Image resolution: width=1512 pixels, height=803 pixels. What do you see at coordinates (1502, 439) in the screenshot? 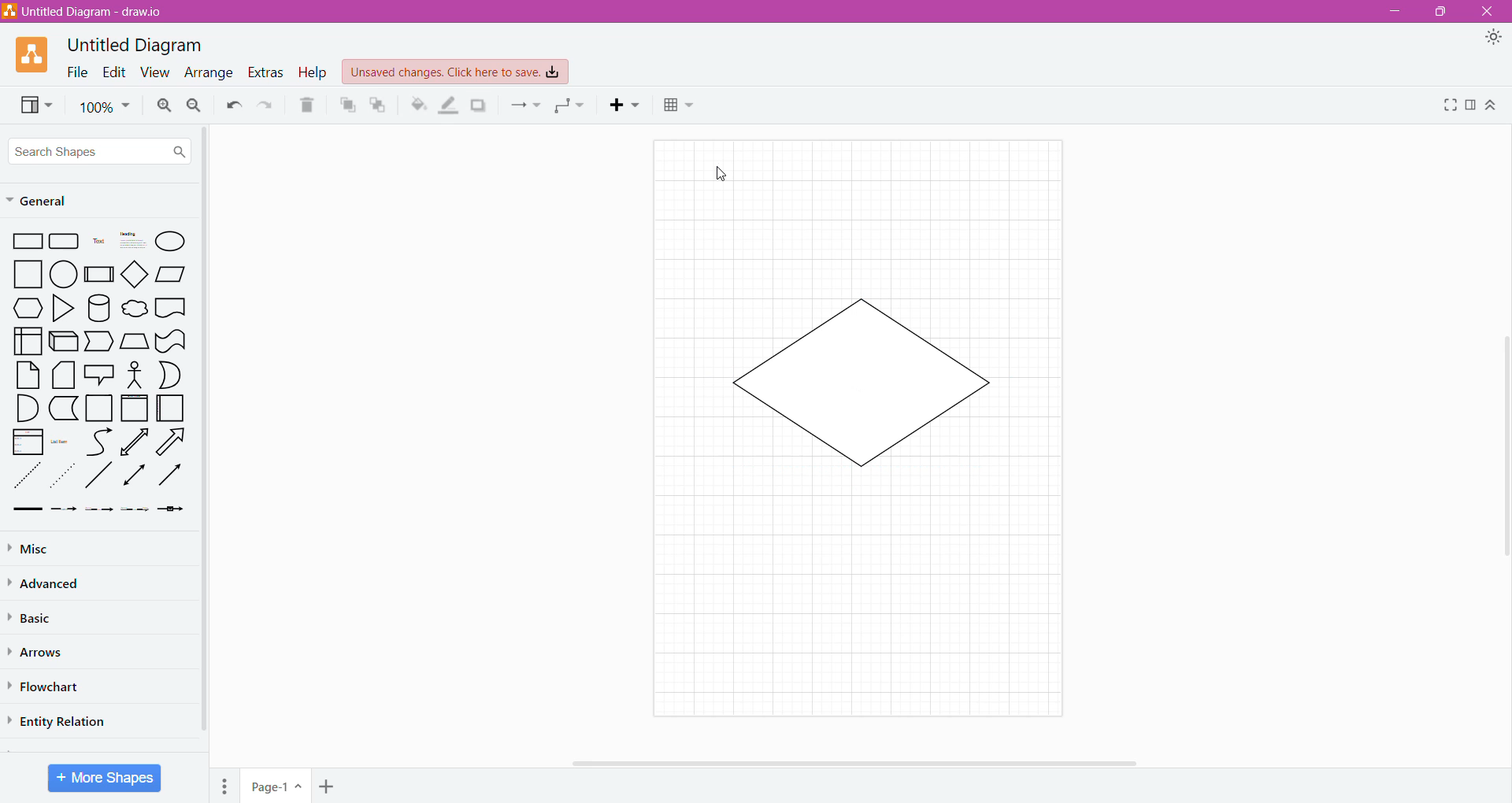
I see `Vertical Scroll Bar` at bounding box center [1502, 439].